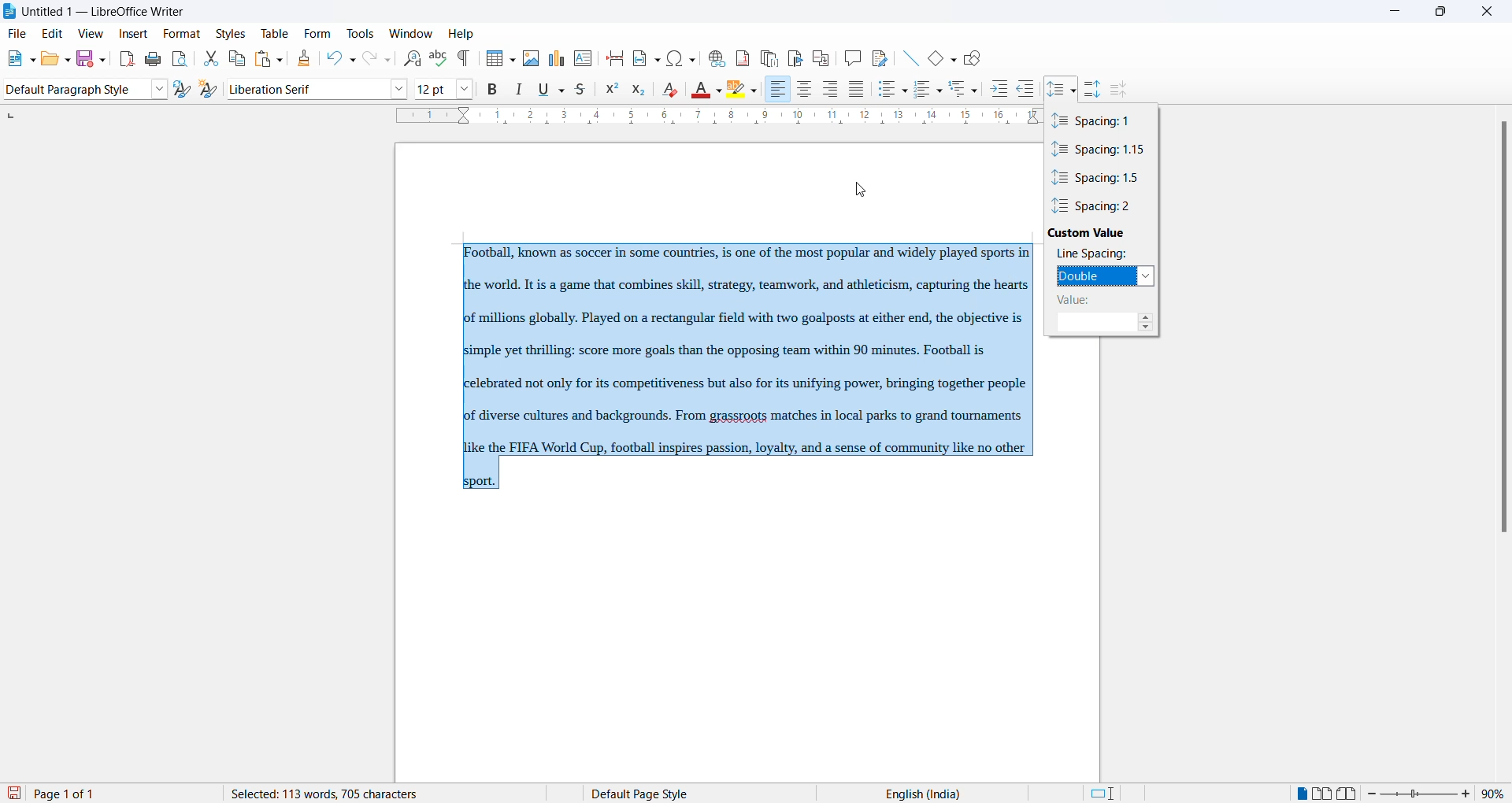 This screenshot has width=1512, height=803. What do you see at coordinates (1100, 120) in the screenshot?
I see `spacing value 1` at bounding box center [1100, 120].